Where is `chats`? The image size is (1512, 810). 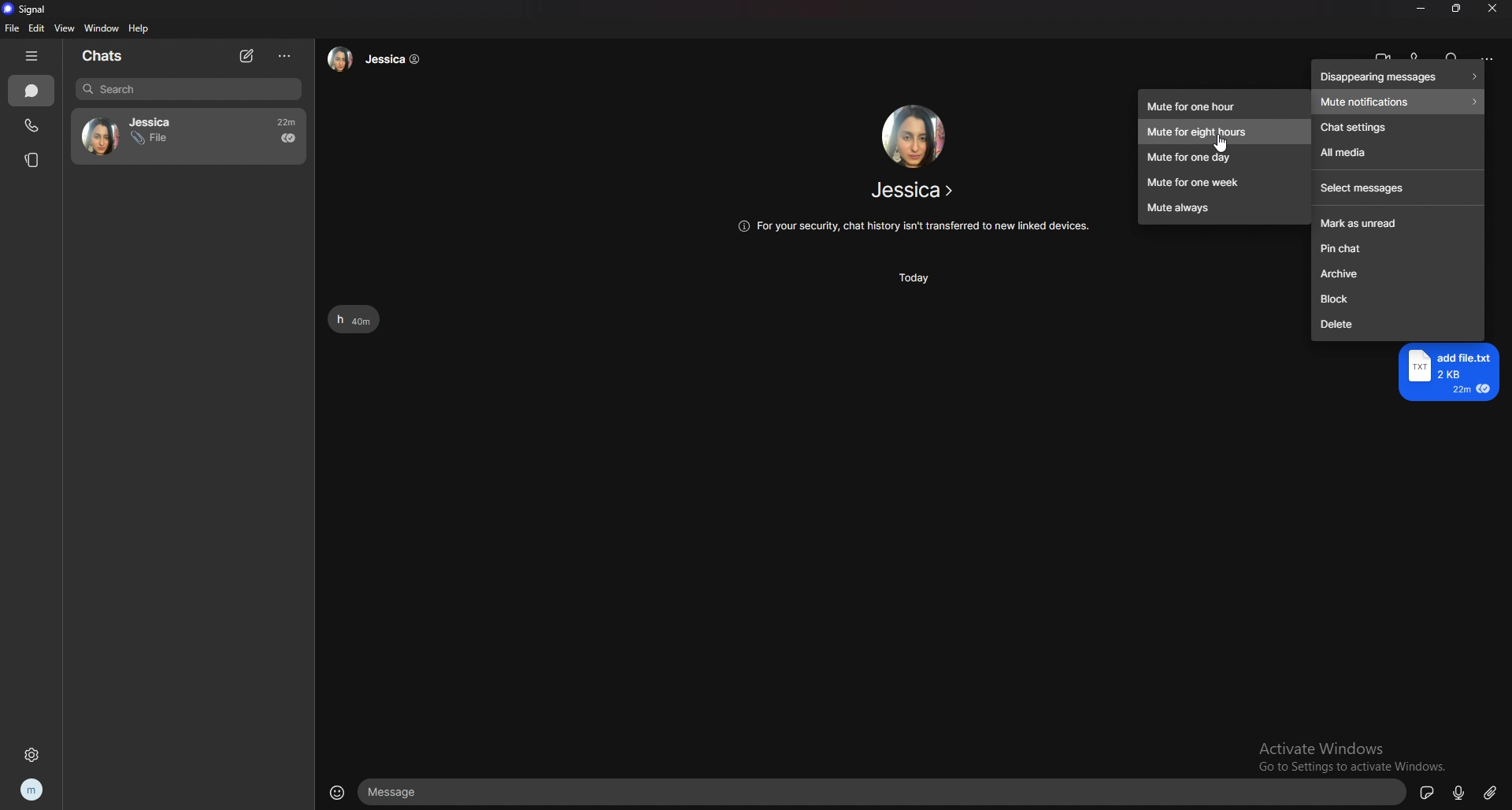 chats is located at coordinates (32, 91).